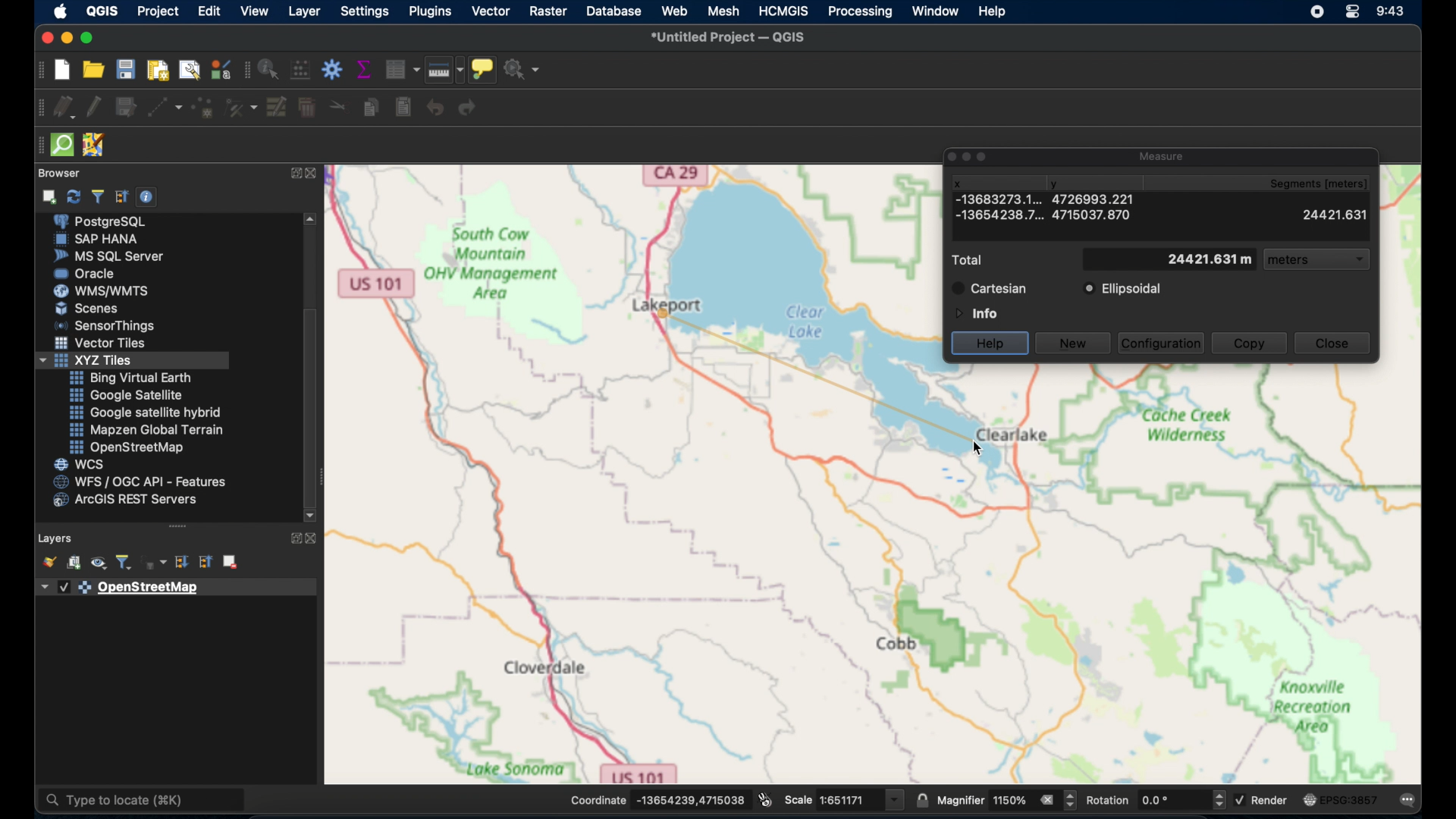  What do you see at coordinates (130, 378) in the screenshot?
I see `bing virtual earth` at bounding box center [130, 378].